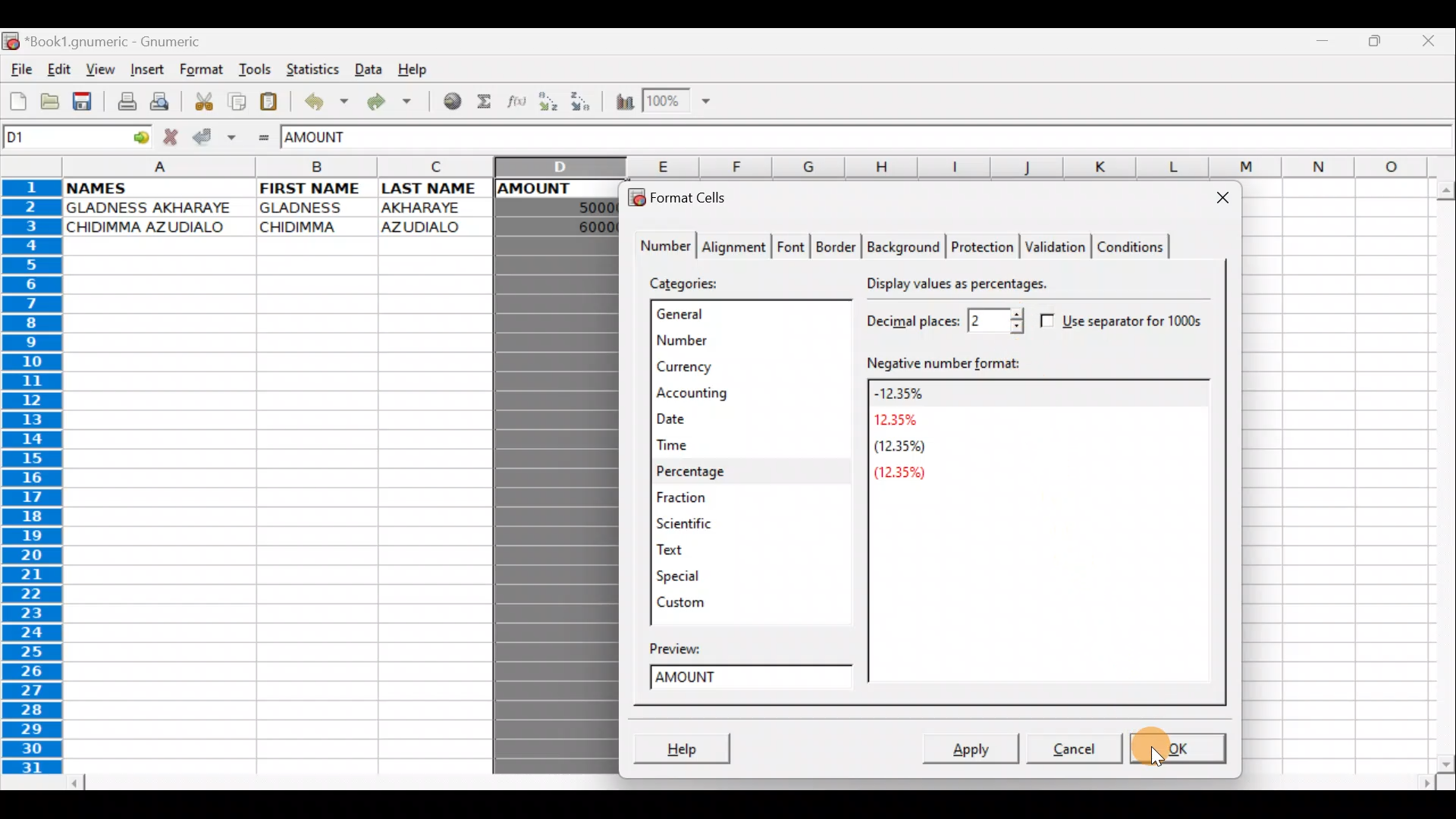 This screenshot has height=819, width=1456. I want to click on Special, so click(686, 576).